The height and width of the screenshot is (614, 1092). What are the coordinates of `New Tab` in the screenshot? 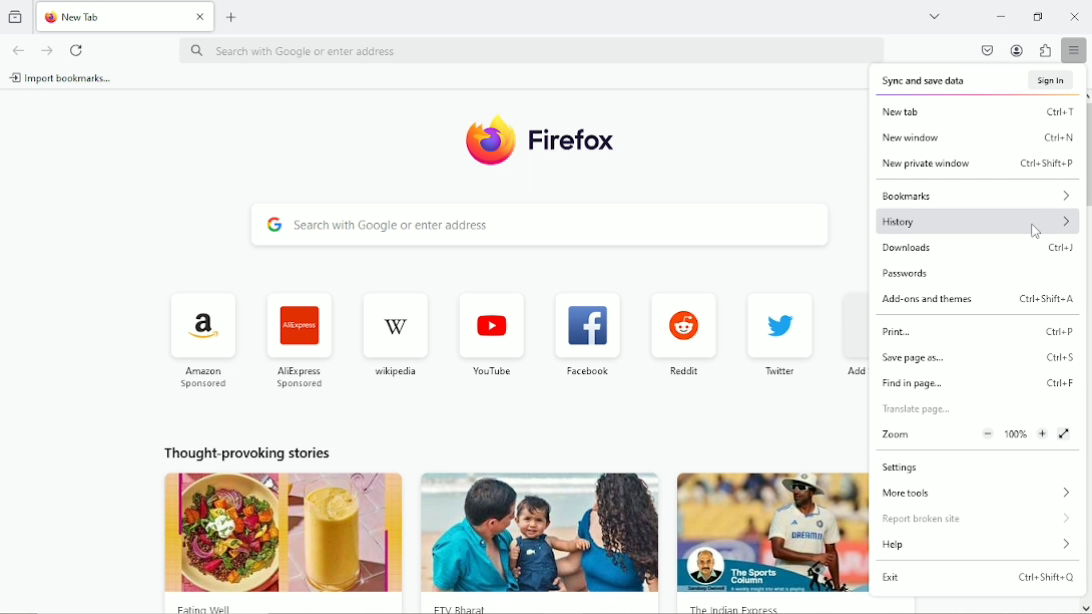 It's located at (113, 16).